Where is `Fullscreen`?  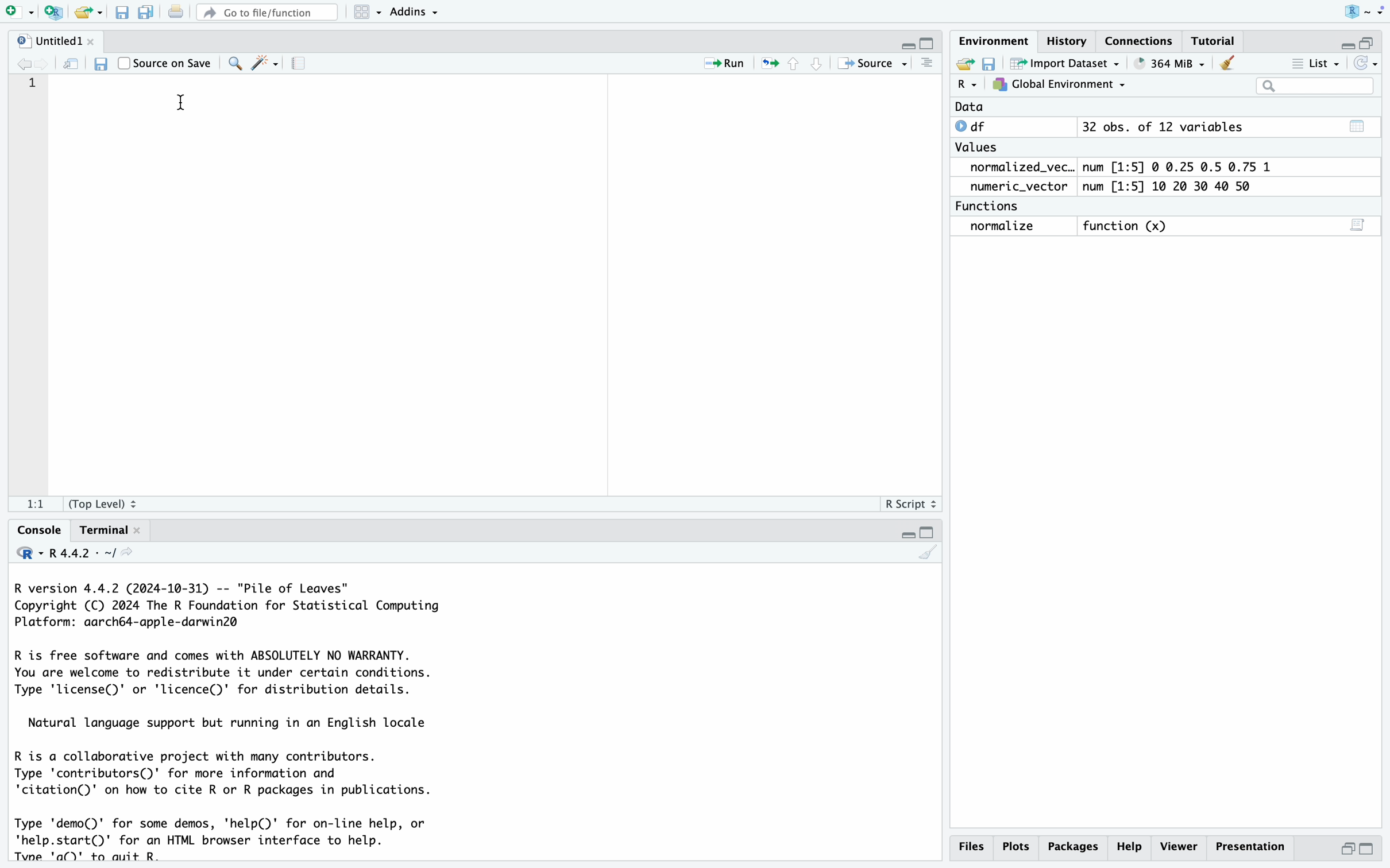
Fullscreen is located at coordinates (918, 42).